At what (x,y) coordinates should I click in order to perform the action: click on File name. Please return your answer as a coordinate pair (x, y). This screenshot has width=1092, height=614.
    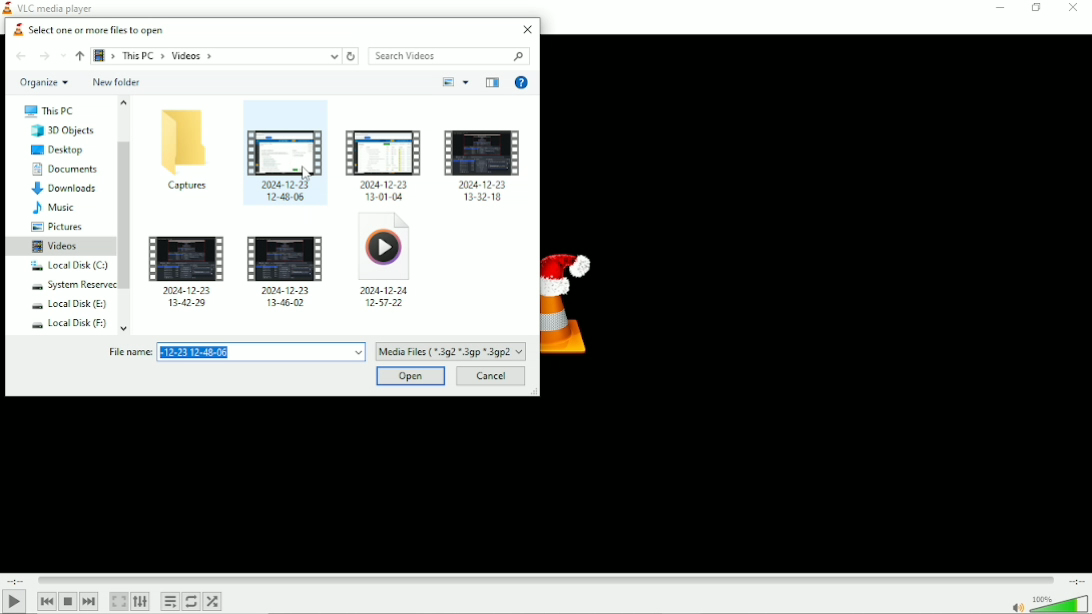
    Looking at the image, I should click on (235, 352).